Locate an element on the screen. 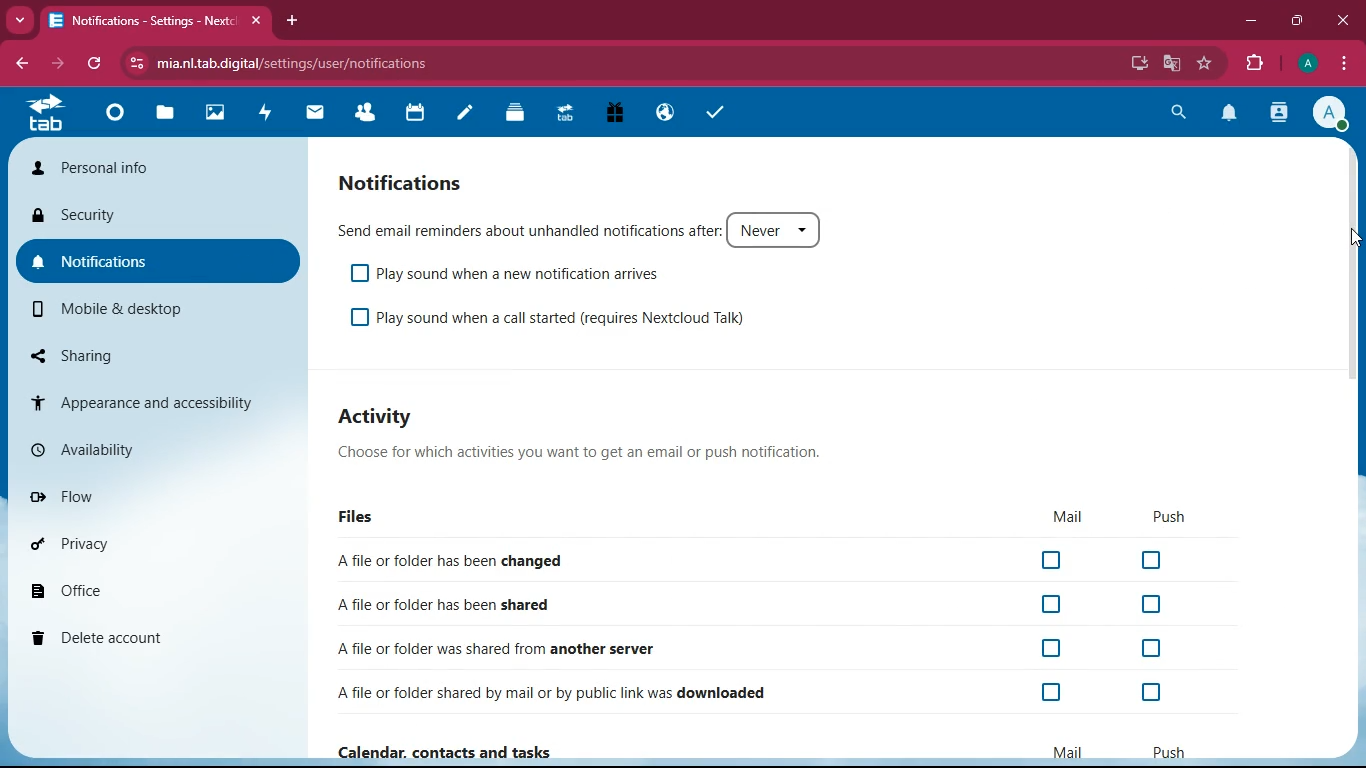 Image resolution: width=1366 pixels, height=768 pixels. profile is located at coordinates (1308, 64).